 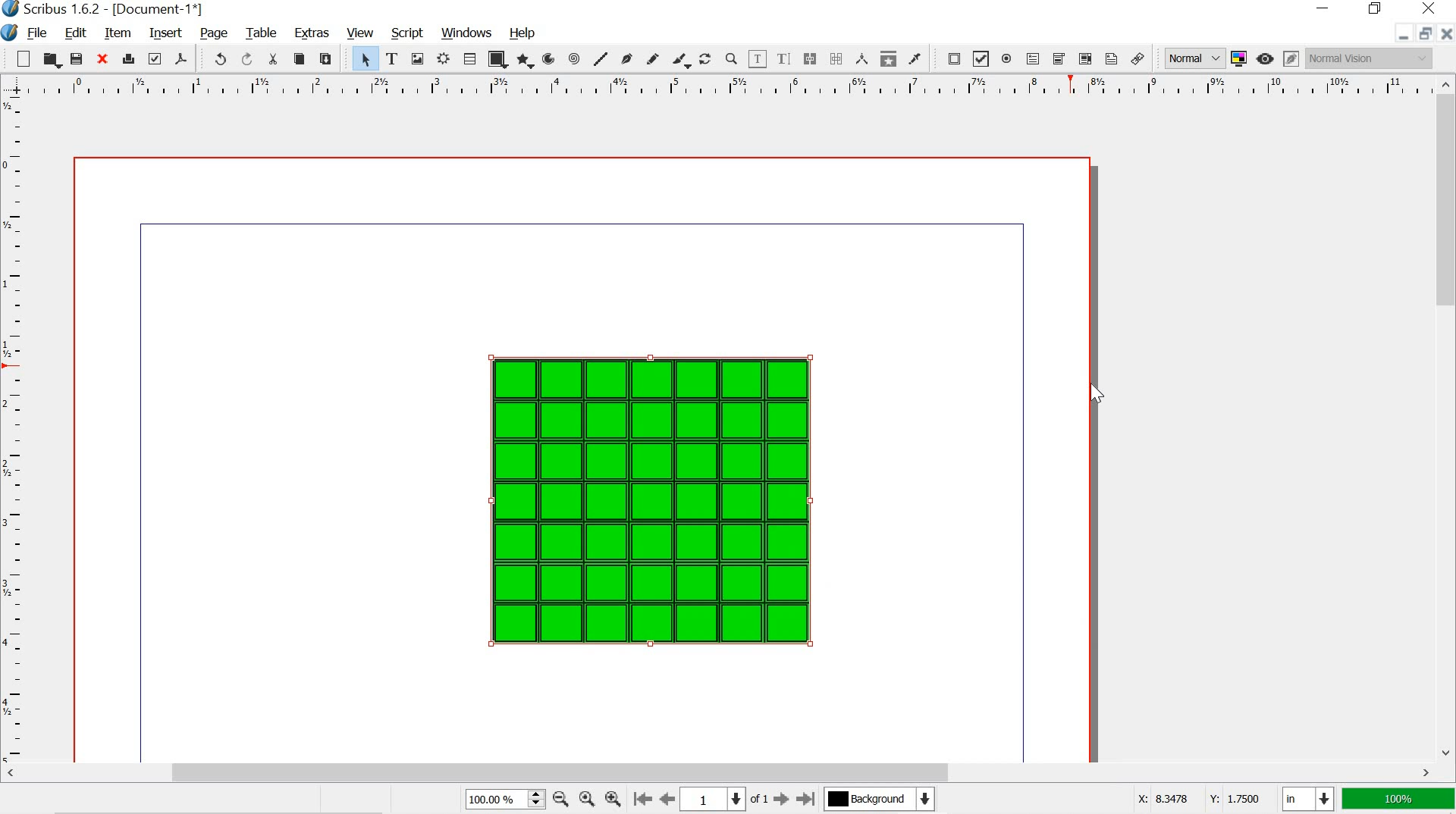 I want to click on scrollbar, so click(x=720, y=773).